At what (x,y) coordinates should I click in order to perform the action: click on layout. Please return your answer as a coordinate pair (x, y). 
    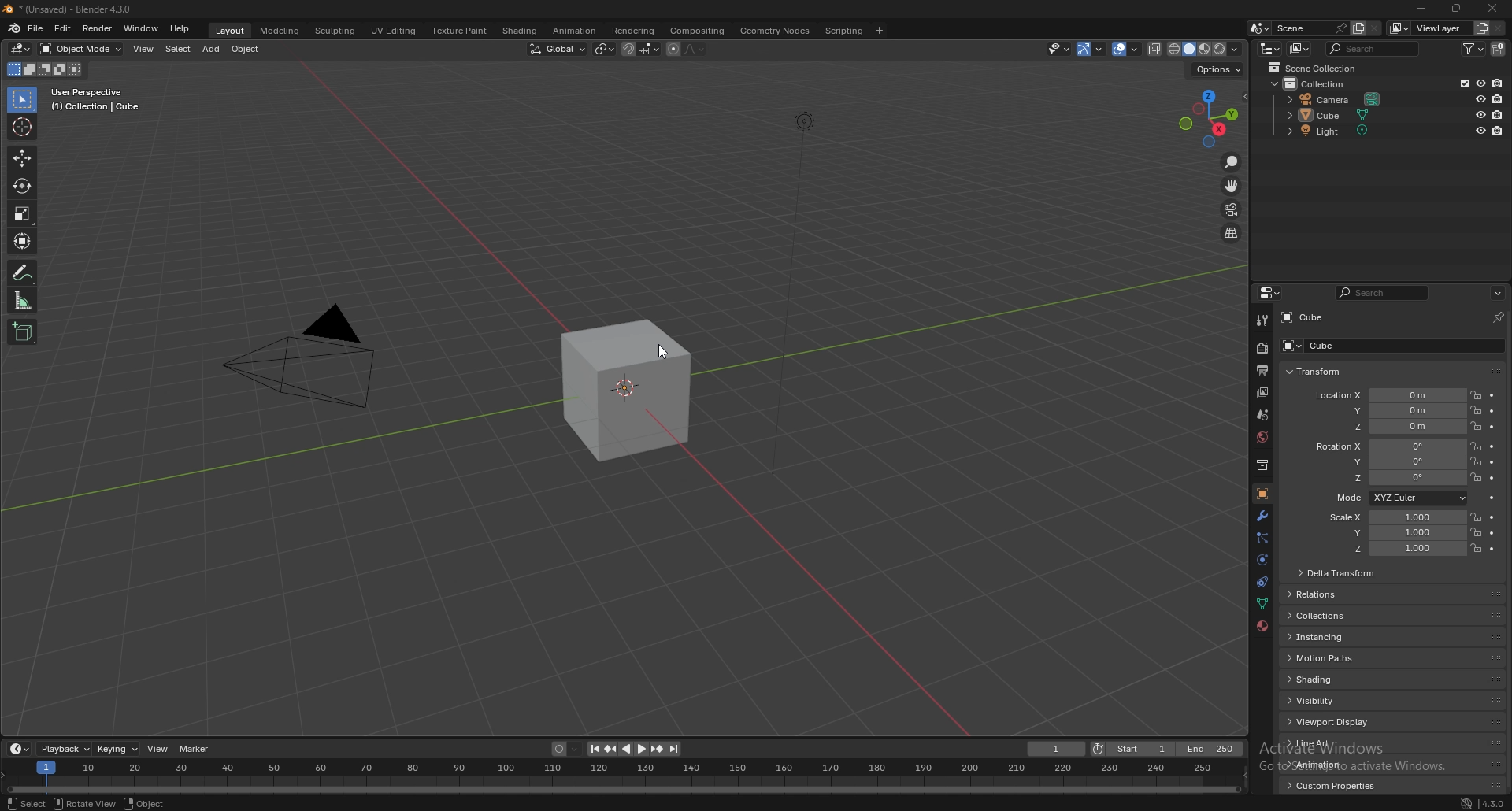
    Looking at the image, I should click on (231, 31).